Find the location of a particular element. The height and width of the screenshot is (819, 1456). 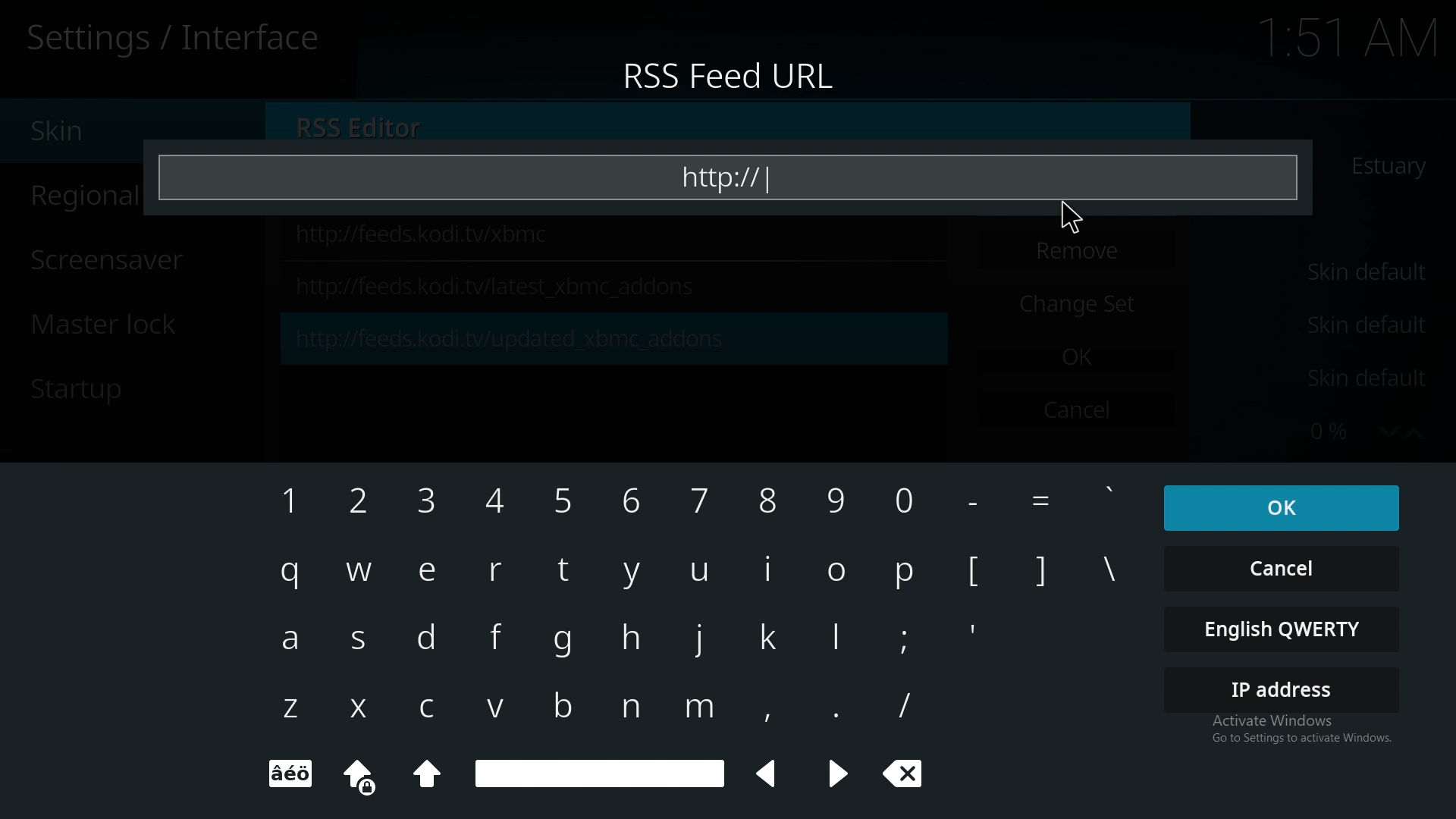

keyboard Input is located at coordinates (428, 777).